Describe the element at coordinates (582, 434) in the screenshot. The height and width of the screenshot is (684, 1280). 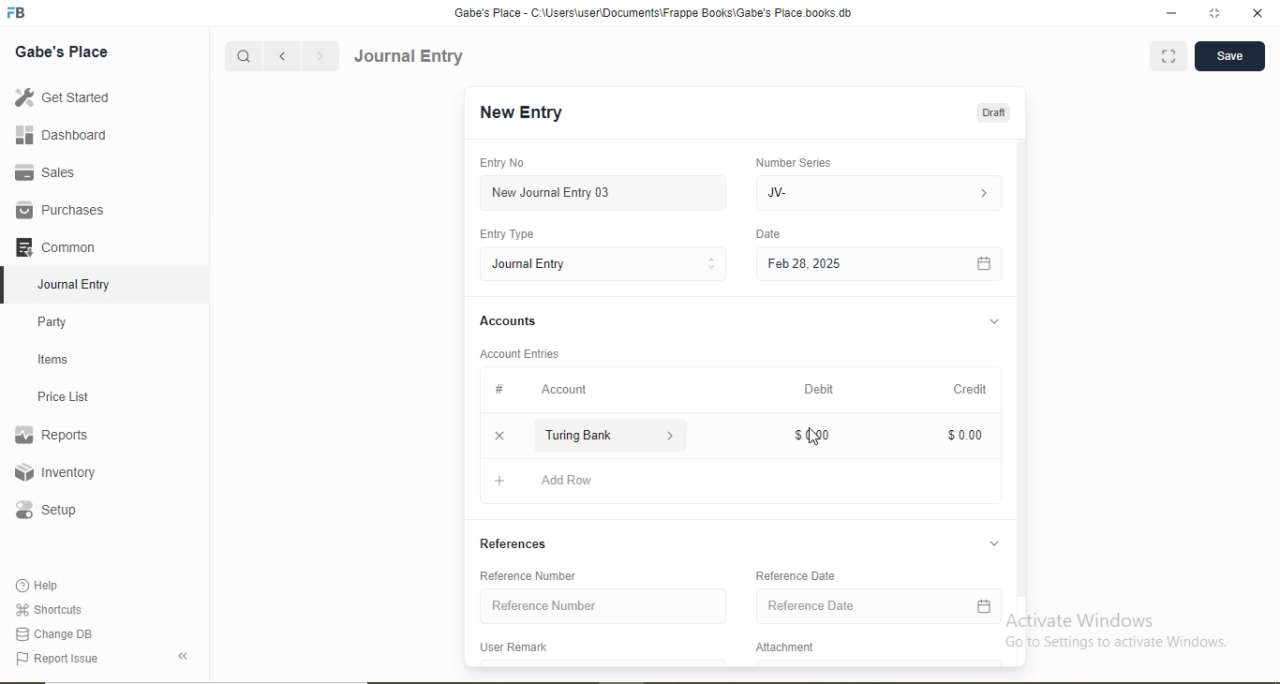
I see `Turing Bank` at that location.